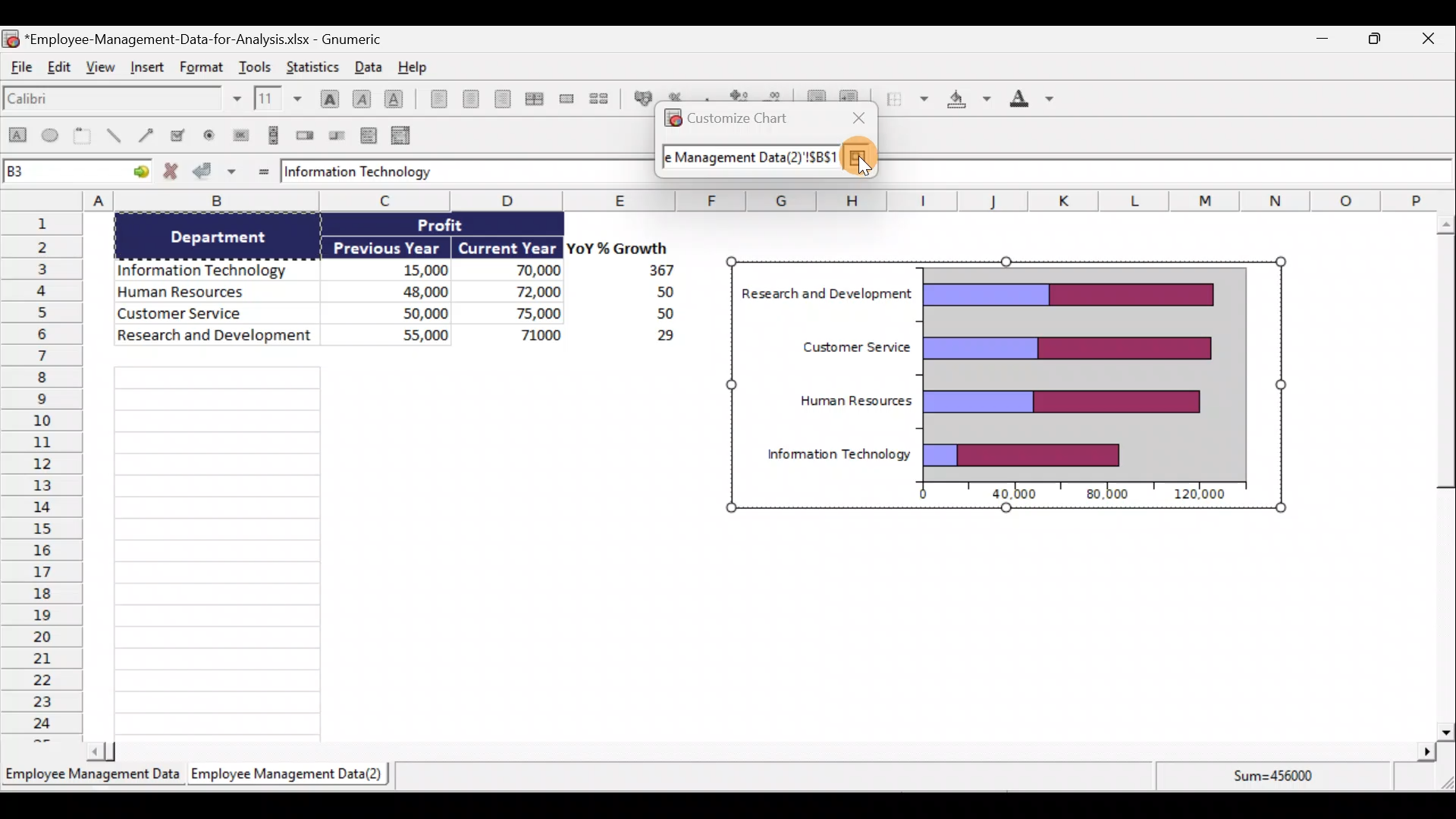 The image size is (1456, 819). I want to click on close, so click(862, 115).